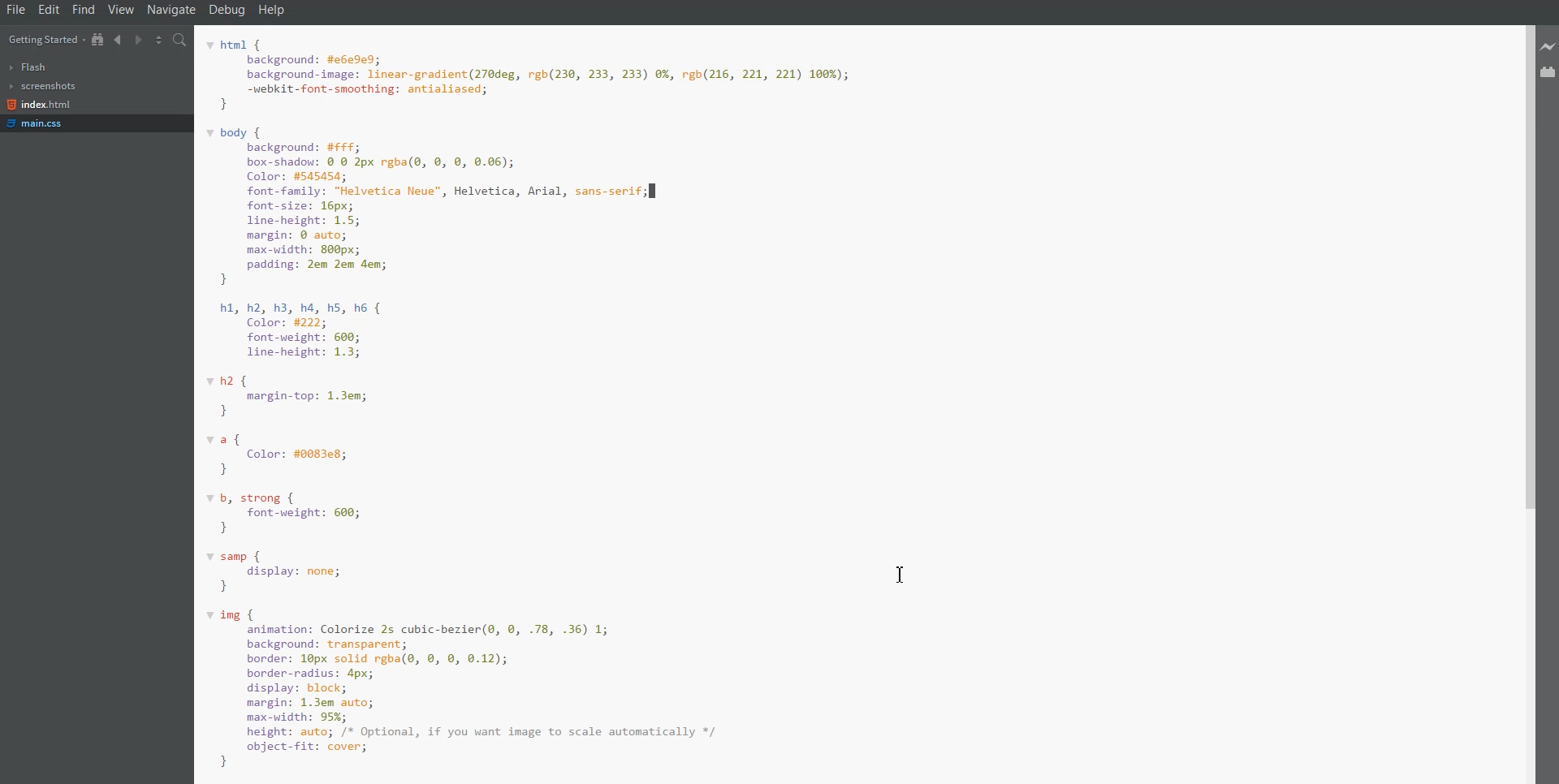  What do you see at coordinates (568, 403) in the screenshot?
I see `html {
background: #e6e9e9;
background-image: linear-gradient(270deg, rgb(230, 233, 233) 0%, rgb(216, 221, 221) 166%);
-webkit-font-smoothing: antialiased;
}
body {
background: #££F;
box-shadow: © @ 2px rgba(@, 0, 8, 0.06);
Color: #545454;
font-family: "Helvetica Neue", Helvetica, Arial, sans-serif;
font-size: 16px;
line-height: 1.5;
margin: 8 auto;
max-width: 808px;
padding: 2em 2em dem;
}
h1, h2, h3, ha, hs, h6 {
Color: #222;
font-weight: 600;
line-height: 1.3;
h2 {
margin-top: 1.3em;
}
raf
Color: #0083e8;
}
/ b, strong {
font-weight: 600;
}
samp {
display: none;
}
ing {
animation: Colorize 2s cubic-bezier(®, 0, .78, .36) 1;
background: transparent;
border: 10px solid rgba(e, 0, 8, 0.12);
border-radius: 4px;
display: block;
margin: 1.3em auto;
max-width: 95%;
height: auto; /* Optional, if you want image to scale automatically */
object-fit: cover;
}` at bounding box center [568, 403].